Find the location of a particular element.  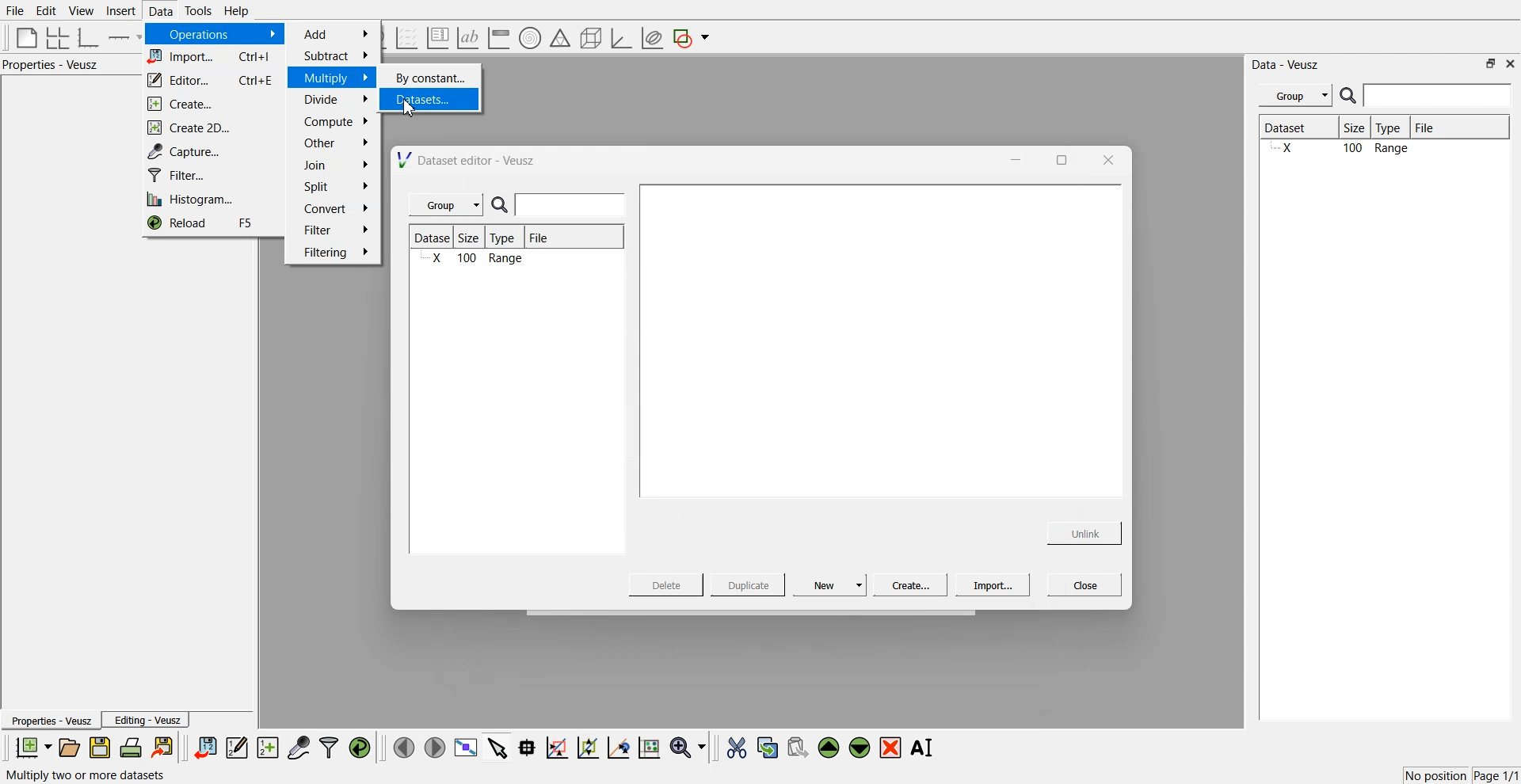

open is located at coordinates (69, 748).